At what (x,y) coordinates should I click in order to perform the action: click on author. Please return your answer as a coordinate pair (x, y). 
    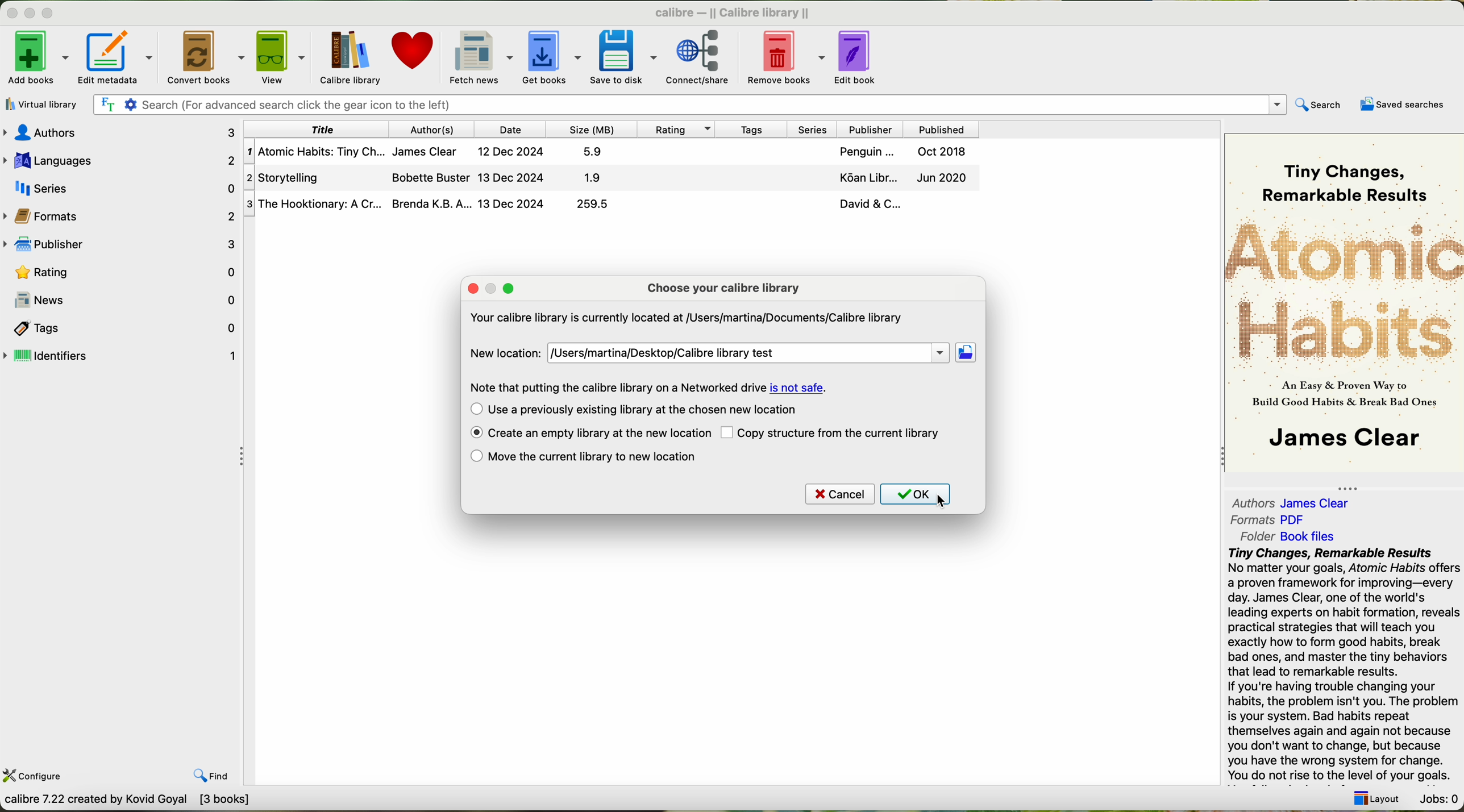
    Looking at the image, I should click on (434, 129).